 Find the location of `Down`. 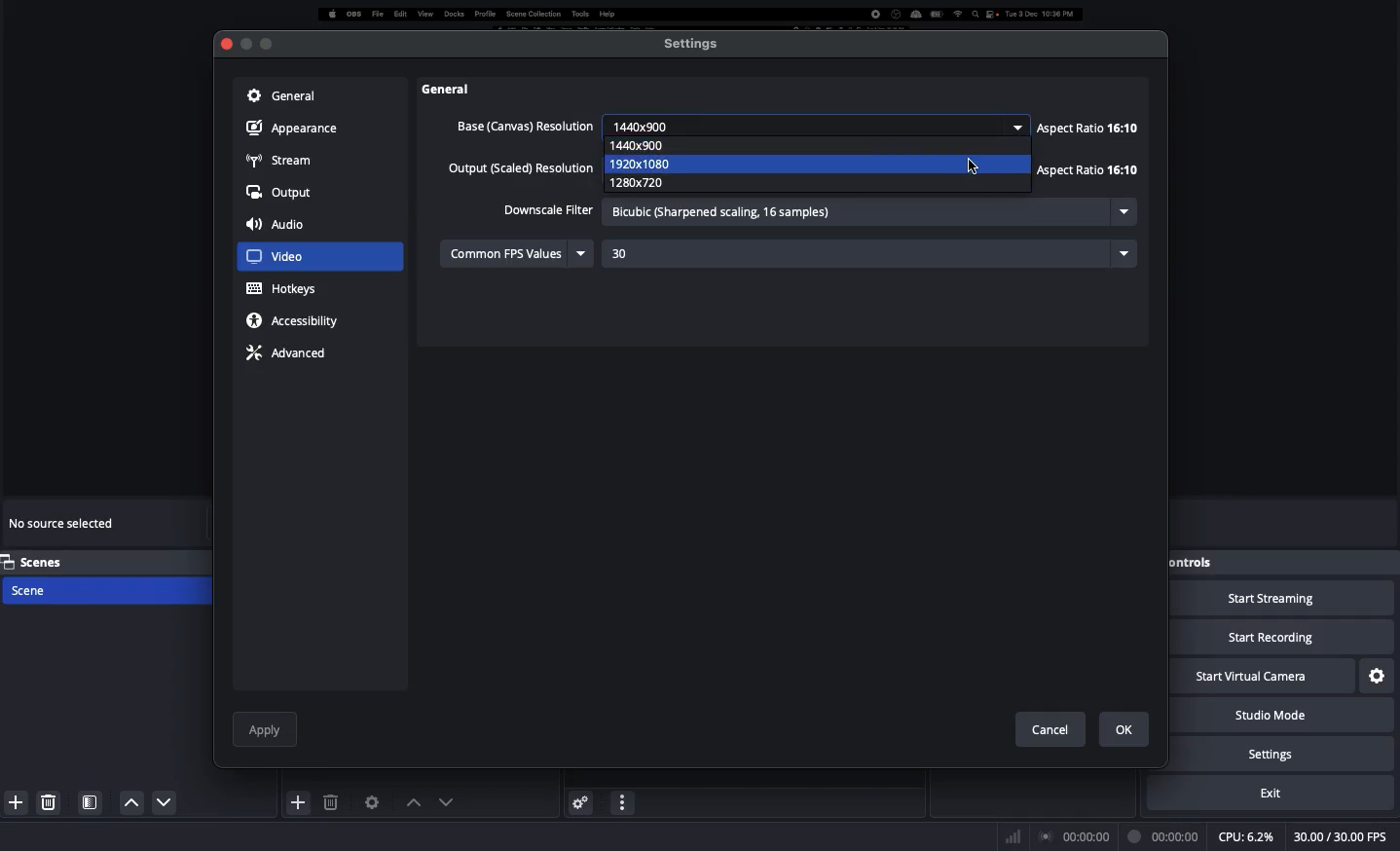

Down is located at coordinates (127, 802).